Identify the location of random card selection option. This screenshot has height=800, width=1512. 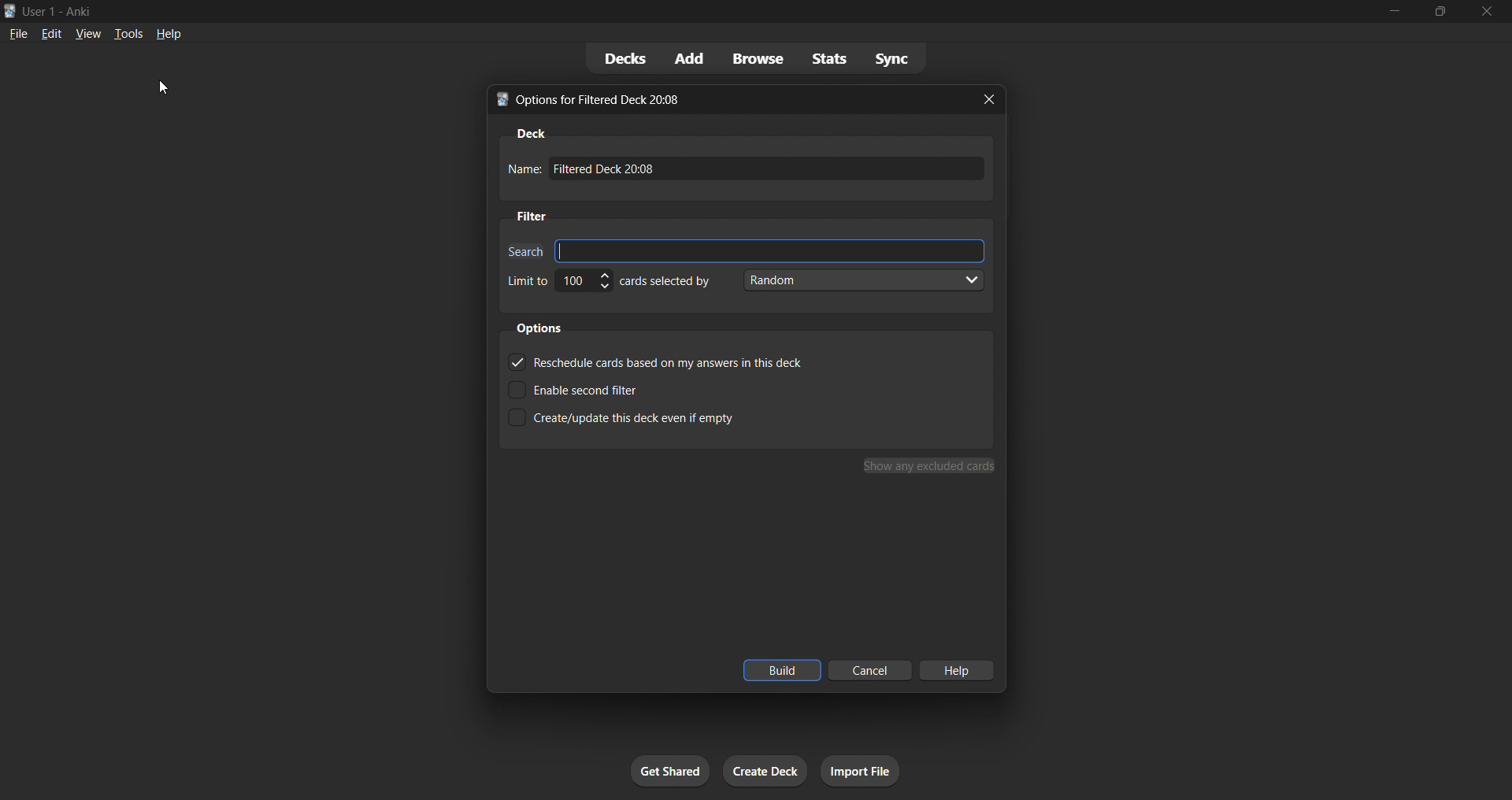
(861, 280).